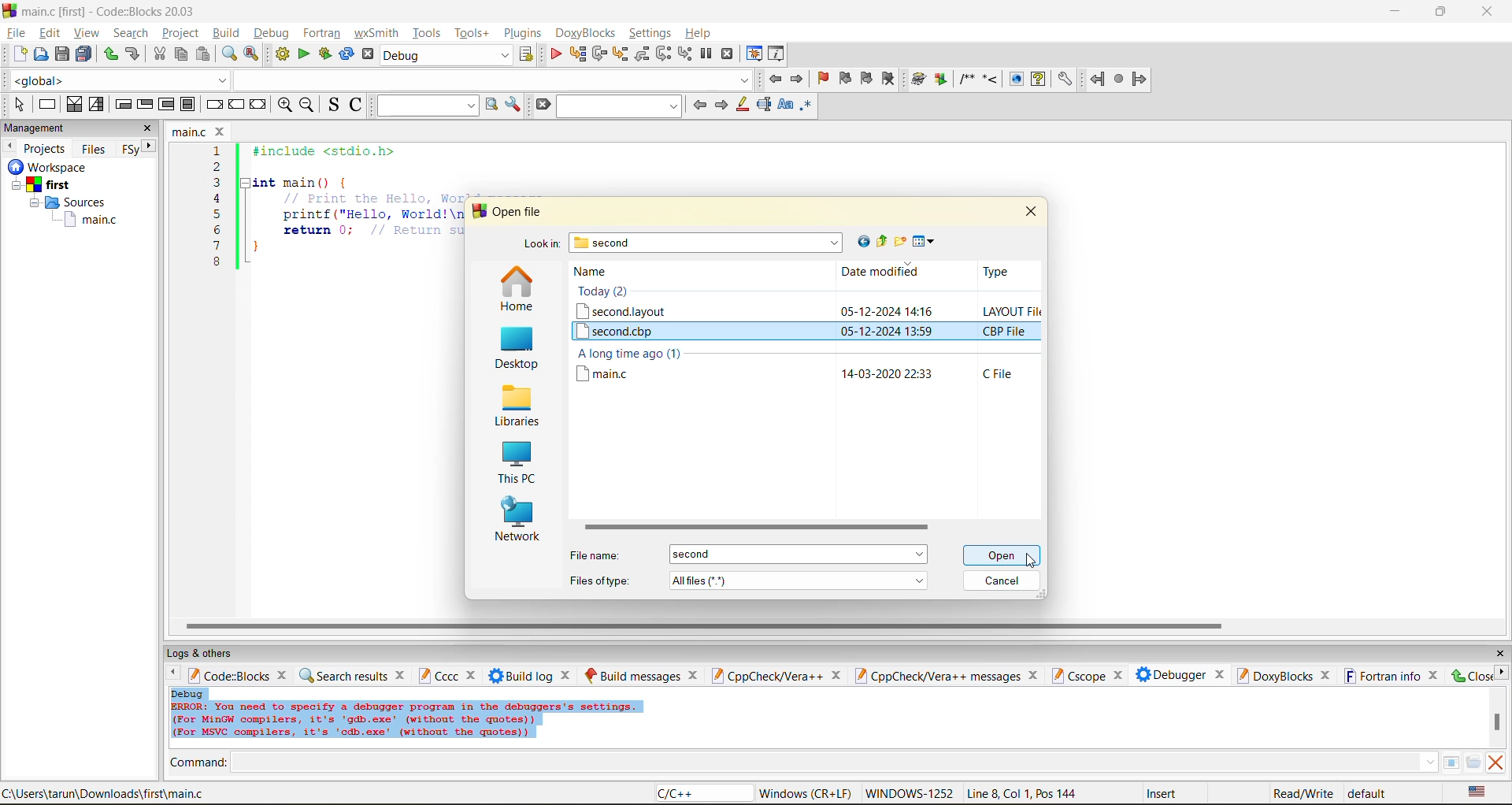 Image resolution: width=1512 pixels, height=805 pixels. What do you see at coordinates (20, 54) in the screenshot?
I see `new` at bounding box center [20, 54].